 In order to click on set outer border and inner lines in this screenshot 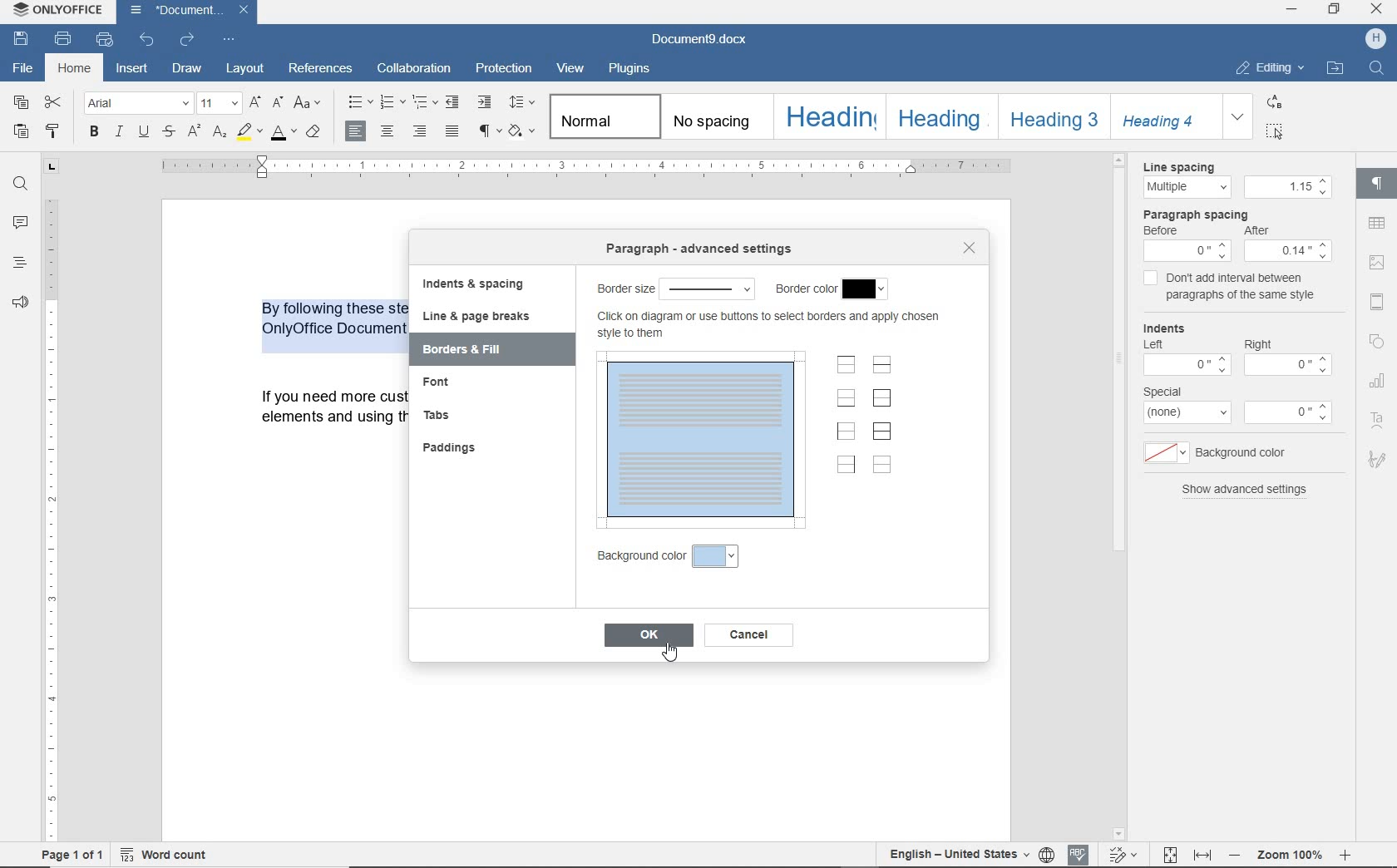, I will do `click(881, 431)`.